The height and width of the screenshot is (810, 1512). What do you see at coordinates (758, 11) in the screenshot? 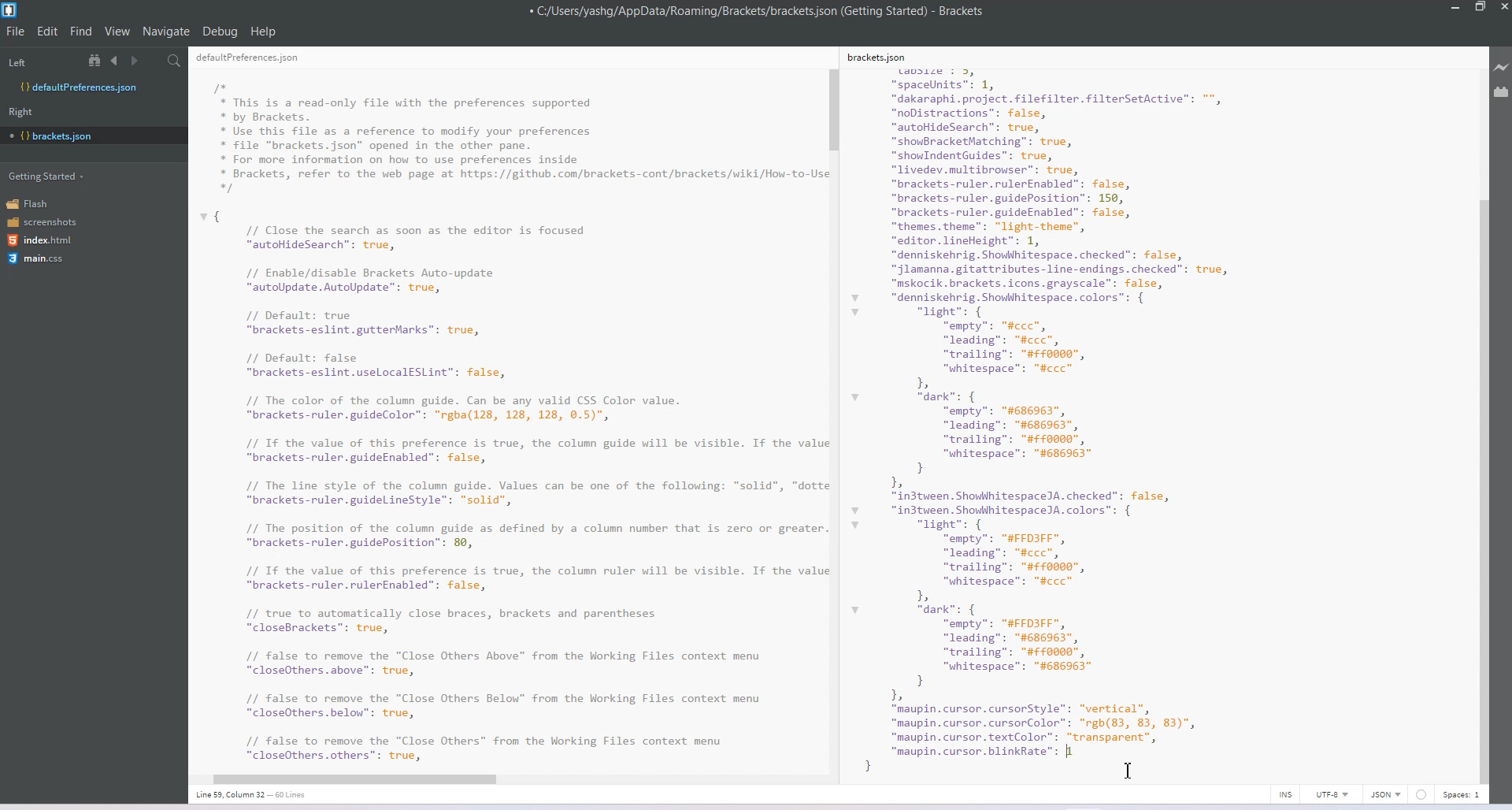
I see `C:/Users/yashg/AppData/Roaming/Brackets/brackets json (Getting Started) - Brackets` at bounding box center [758, 11].